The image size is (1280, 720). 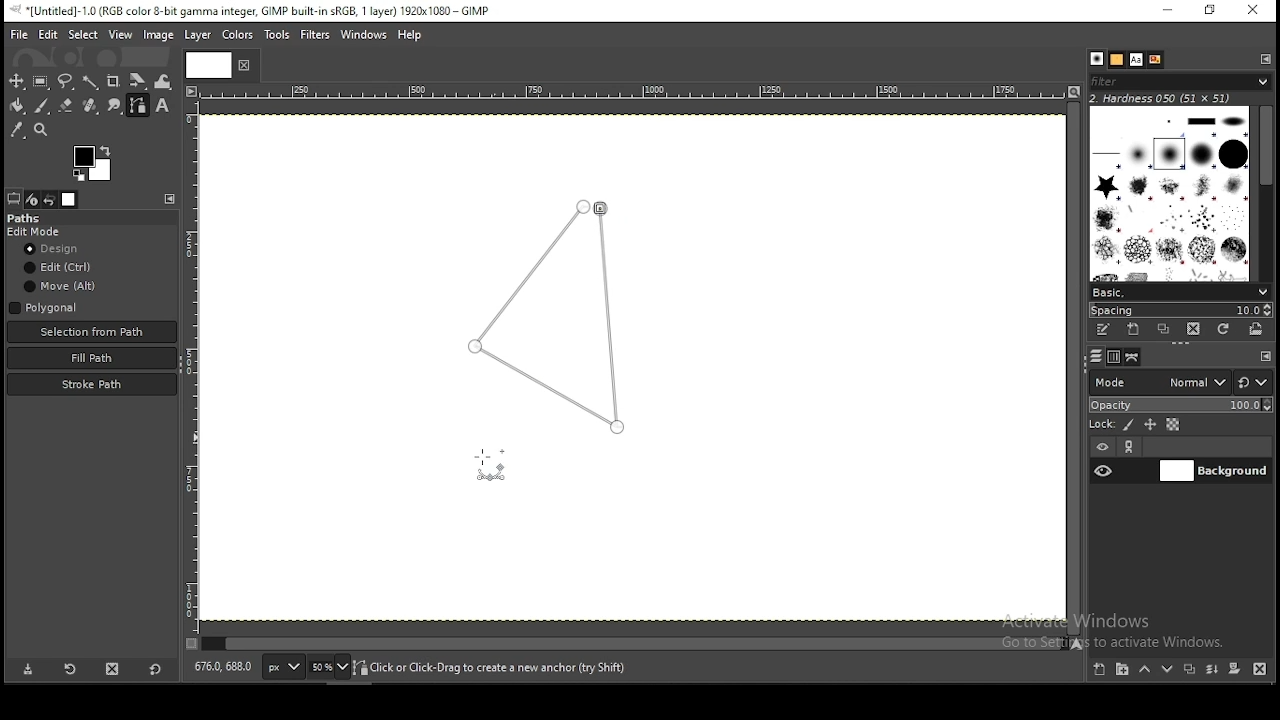 I want to click on stroke path, so click(x=92, y=384).